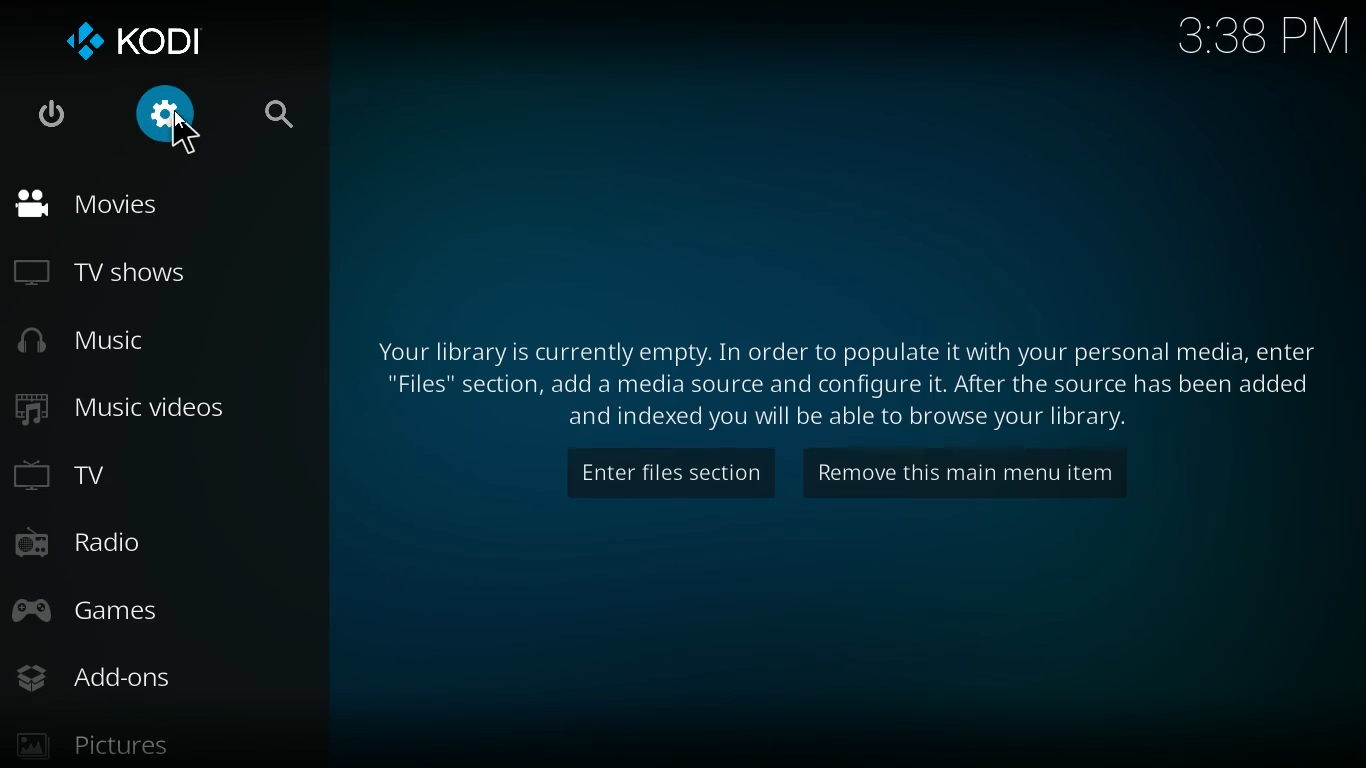 This screenshot has width=1366, height=768. I want to click on enter files section, so click(672, 479).